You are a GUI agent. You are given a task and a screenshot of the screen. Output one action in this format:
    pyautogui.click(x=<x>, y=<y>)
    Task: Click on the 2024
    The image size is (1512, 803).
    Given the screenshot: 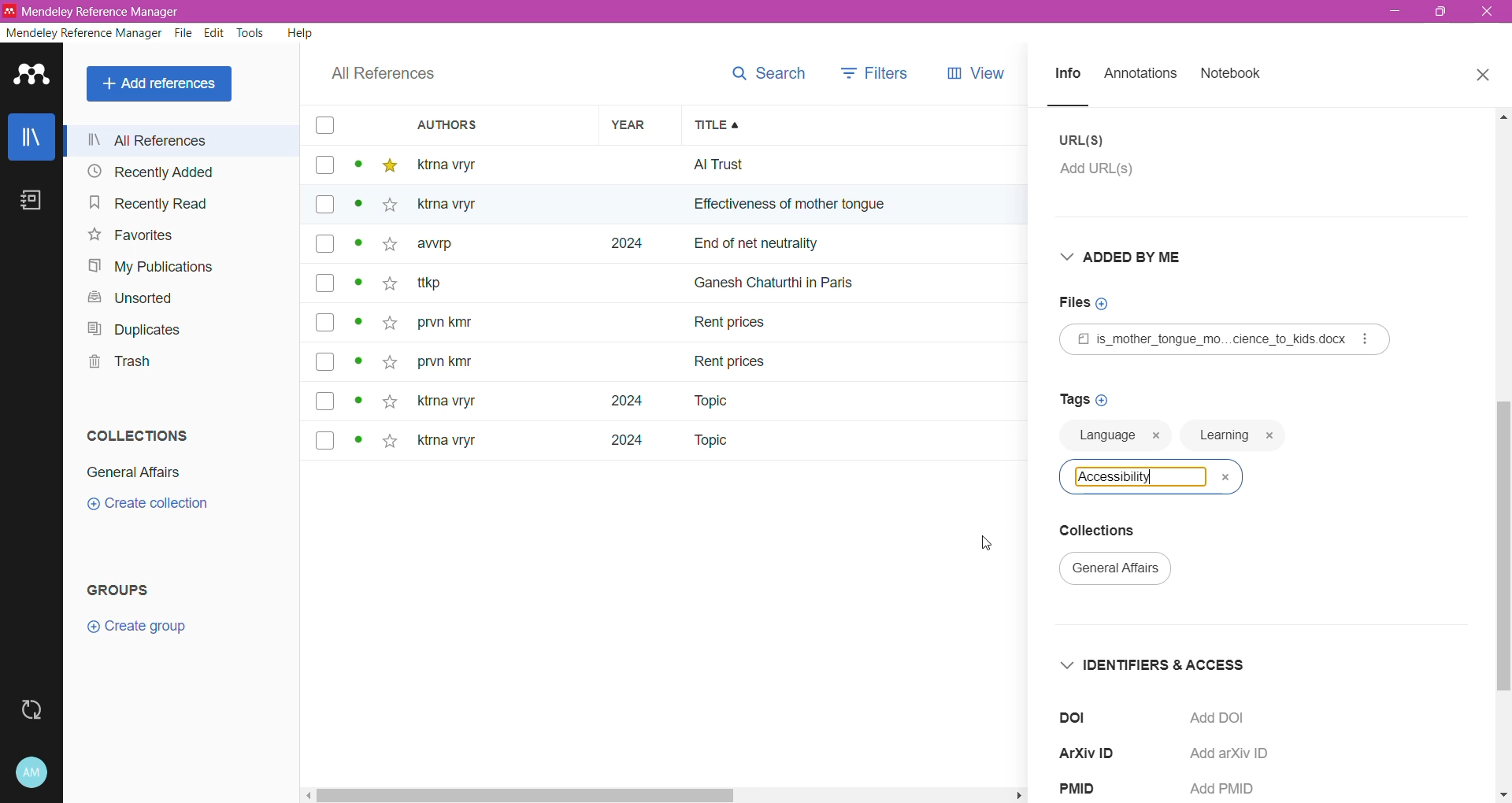 What is the action you would take?
    pyautogui.click(x=617, y=446)
    